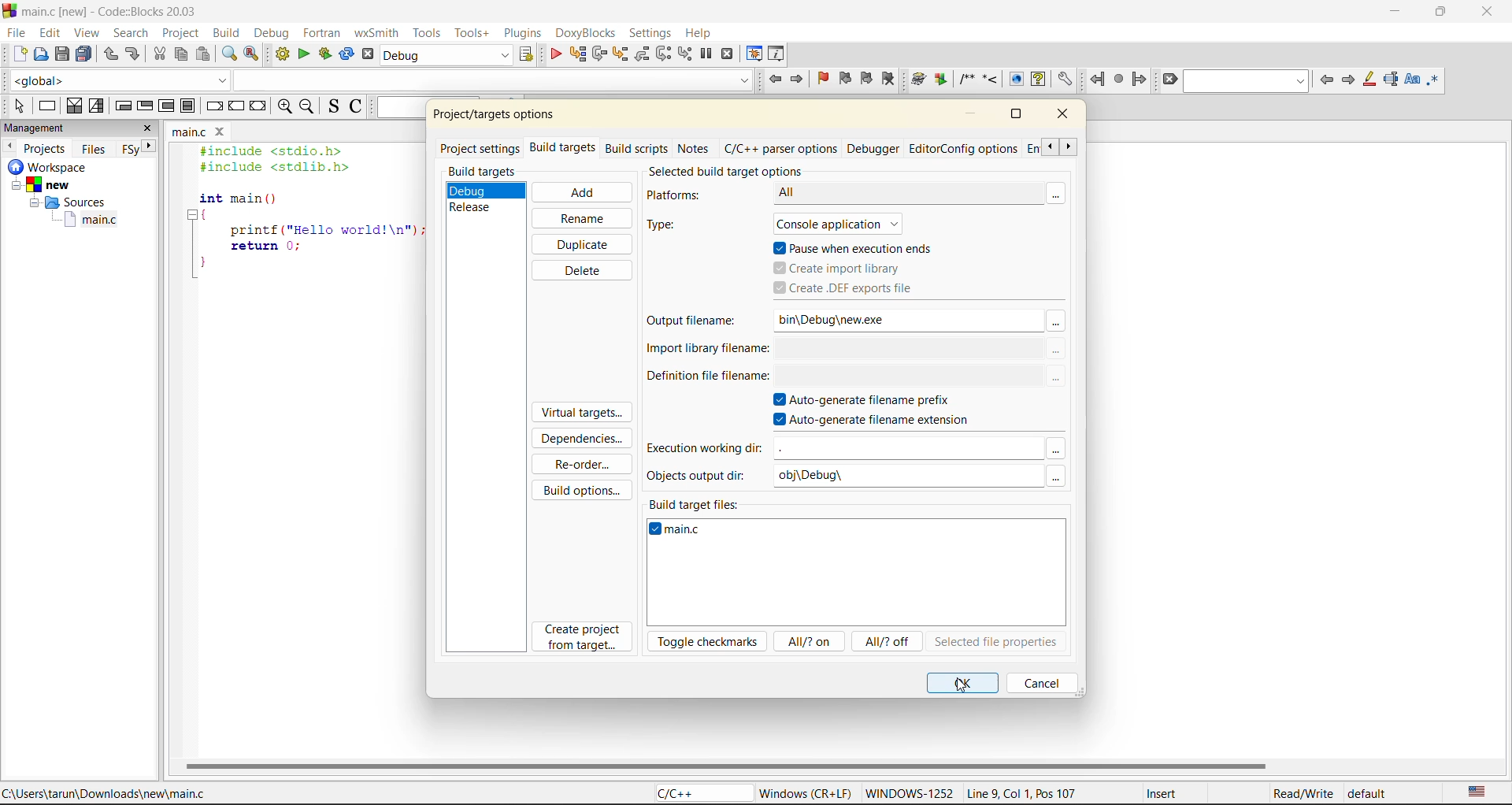 This screenshot has height=805, width=1512. What do you see at coordinates (807, 640) in the screenshot?
I see `all/?on` at bounding box center [807, 640].